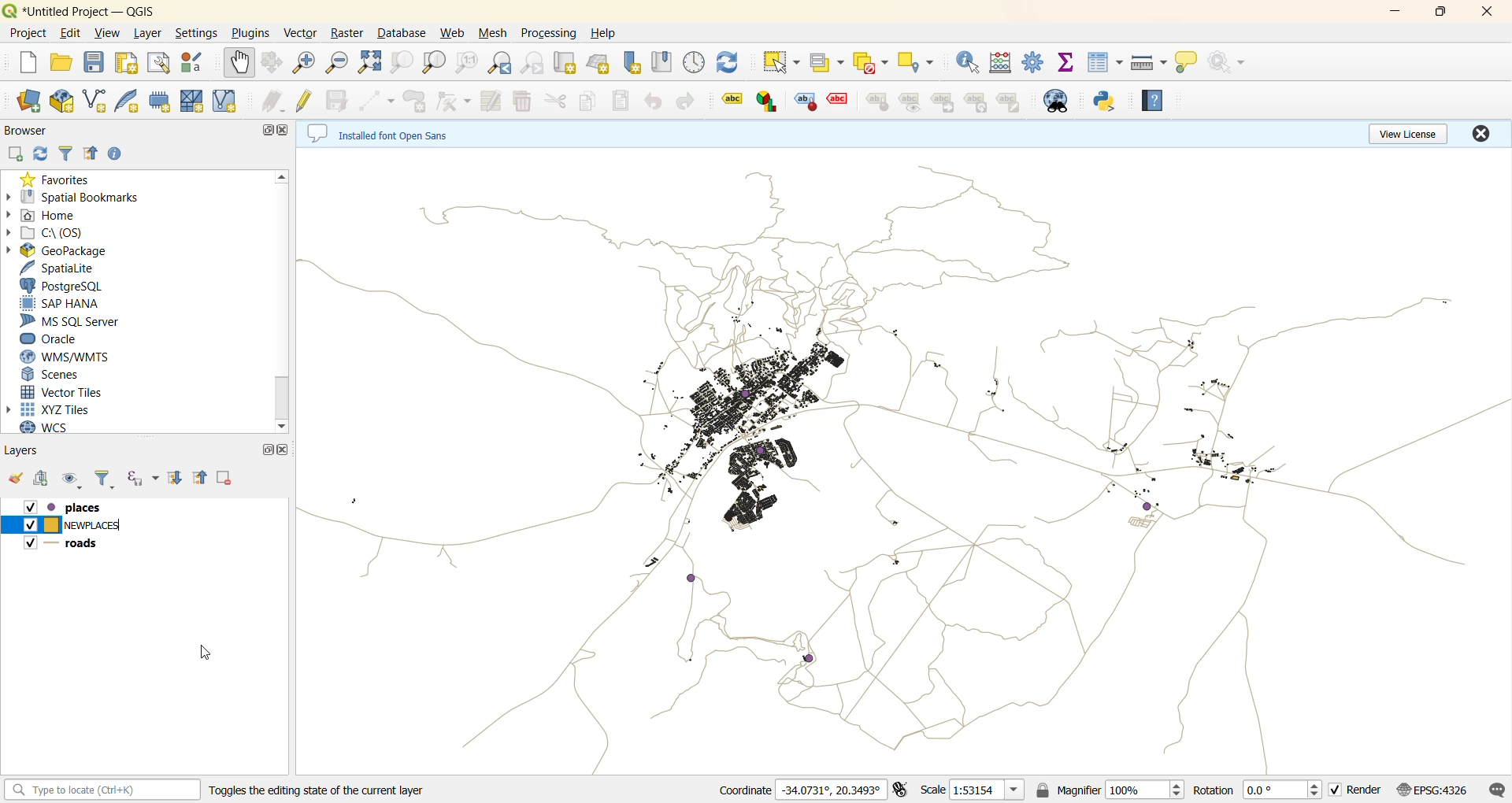 The image size is (1512, 803). Describe the element at coordinates (65, 357) in the screenshot. I see `wms/wmts` at that location.